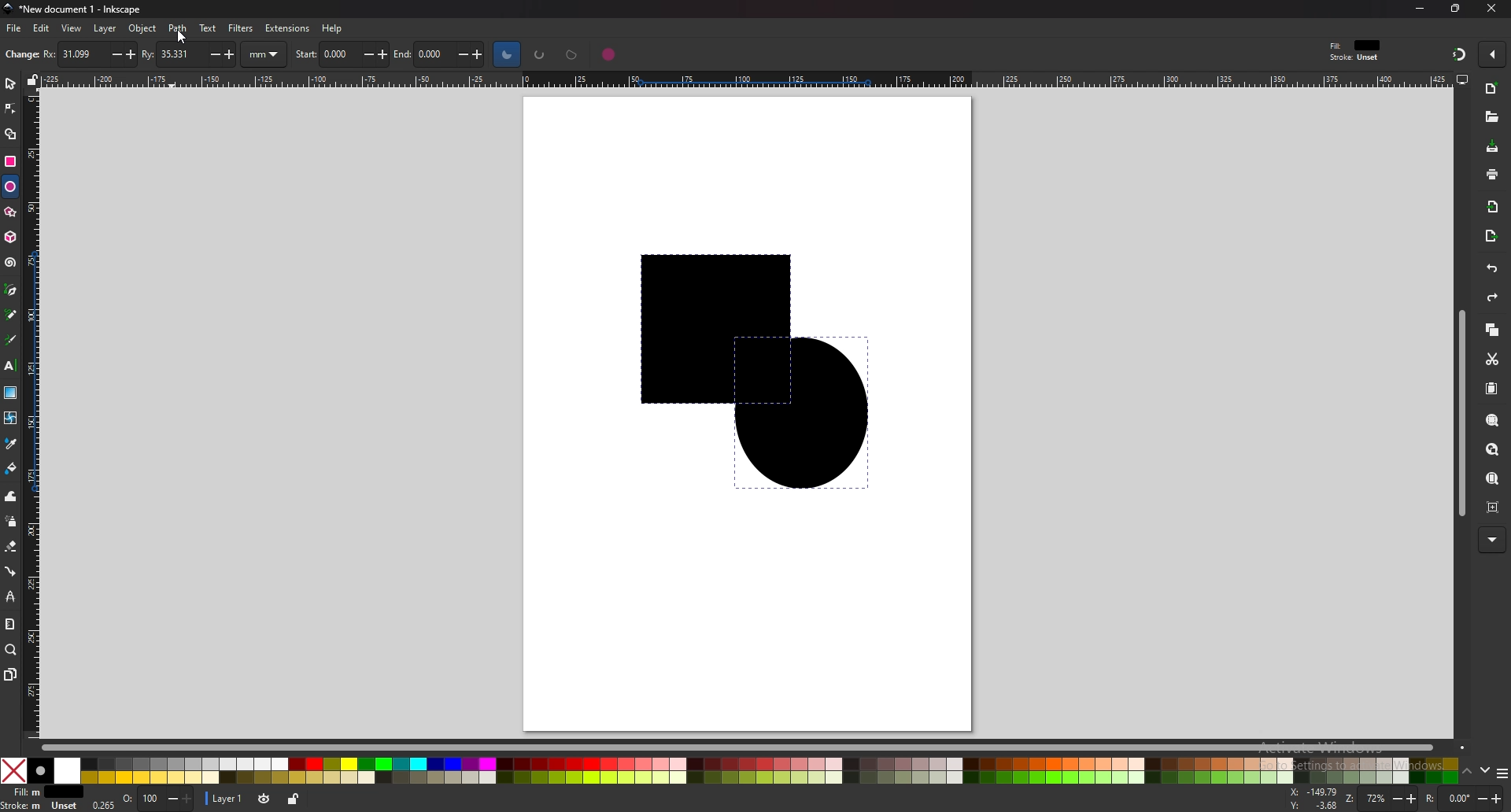  I want to click on help, so click(331, 28).